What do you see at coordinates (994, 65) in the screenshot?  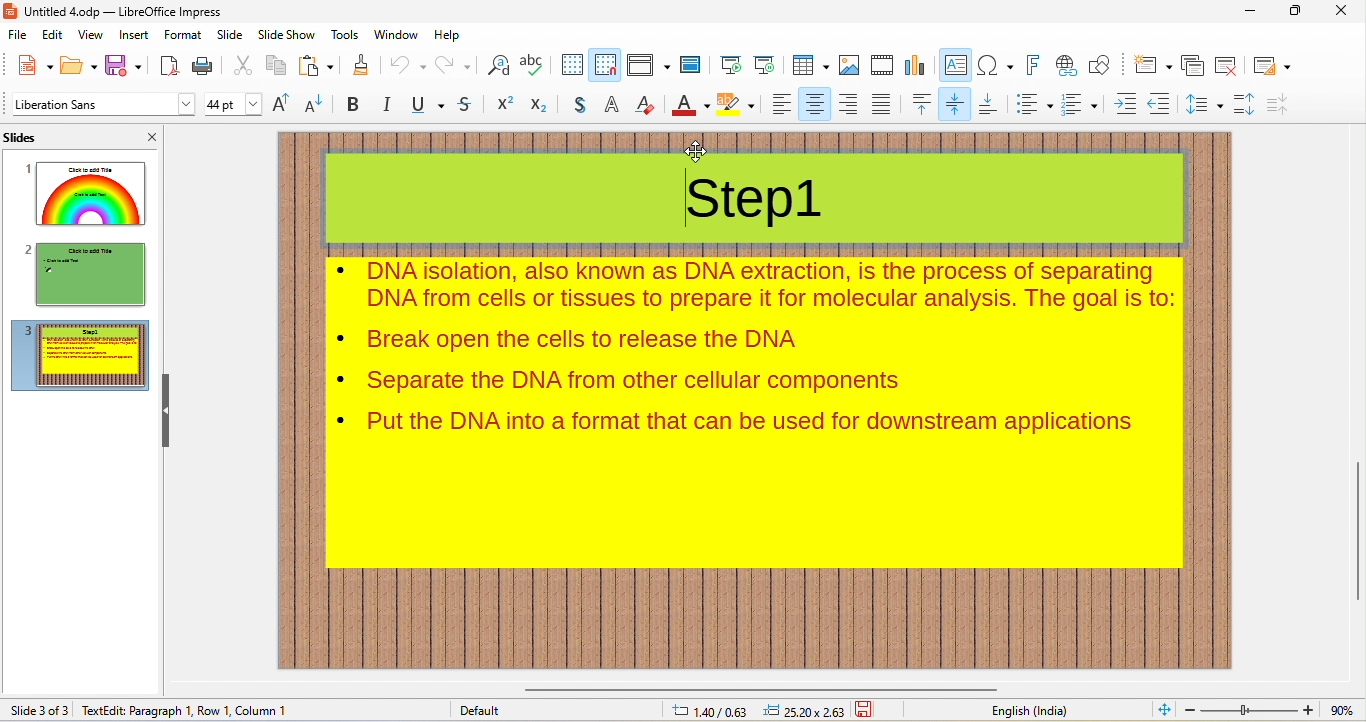 I see `insert special characters` at bounding box center [994, 65].